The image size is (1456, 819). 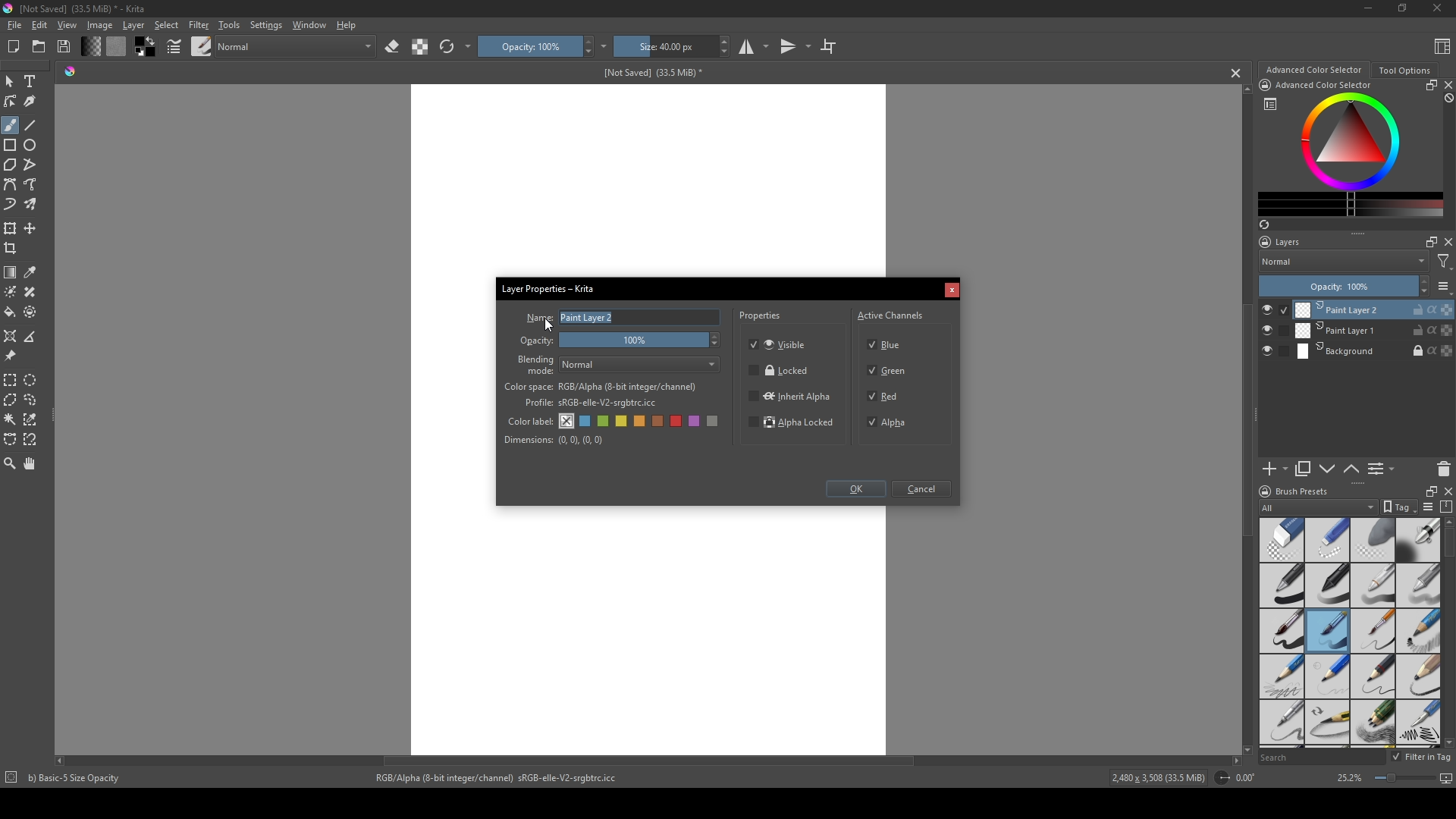 What do you see at coordinates (754, 46) in the screenshot?
I see `studio mode` at bounding box center [754, 46].